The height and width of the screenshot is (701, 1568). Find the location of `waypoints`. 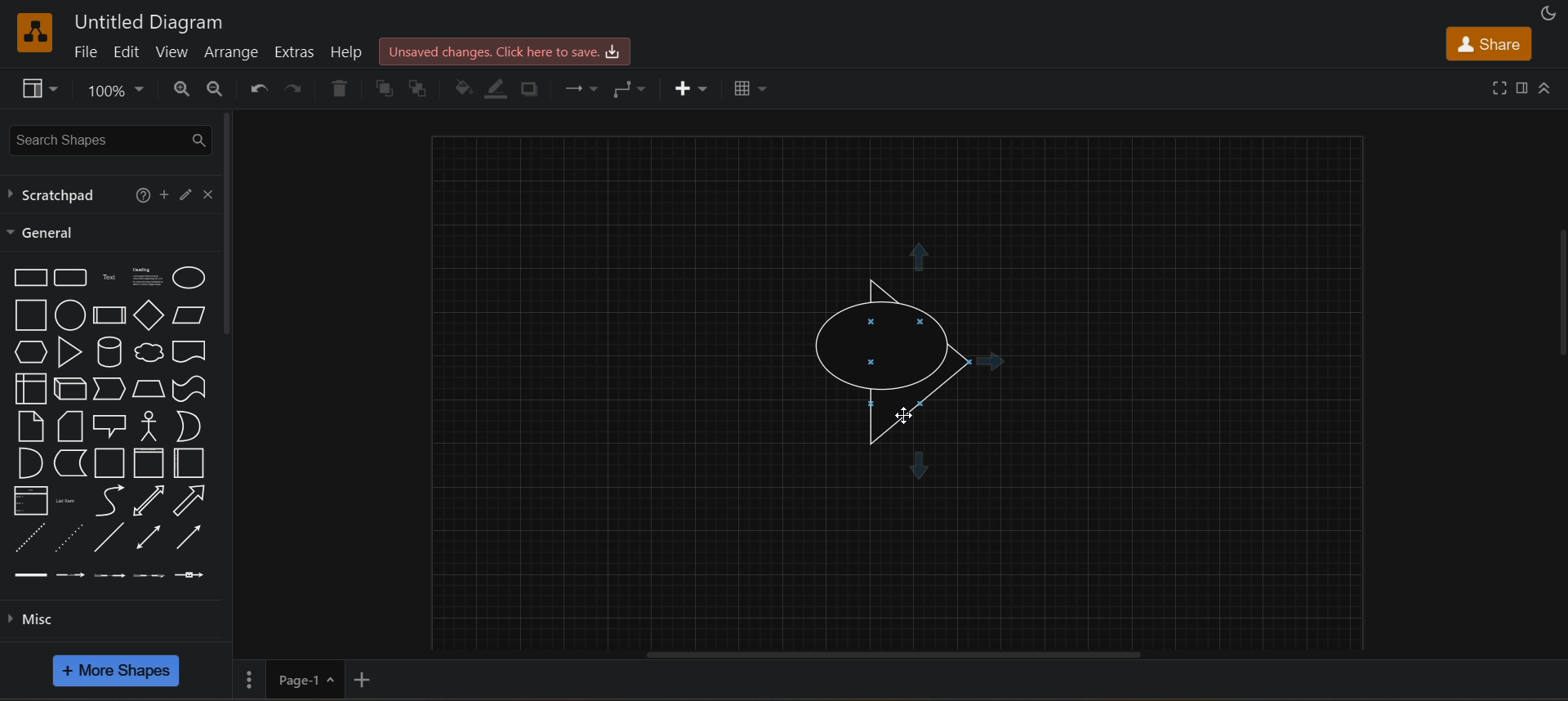

waypoints is located at coordinates (635, 90).